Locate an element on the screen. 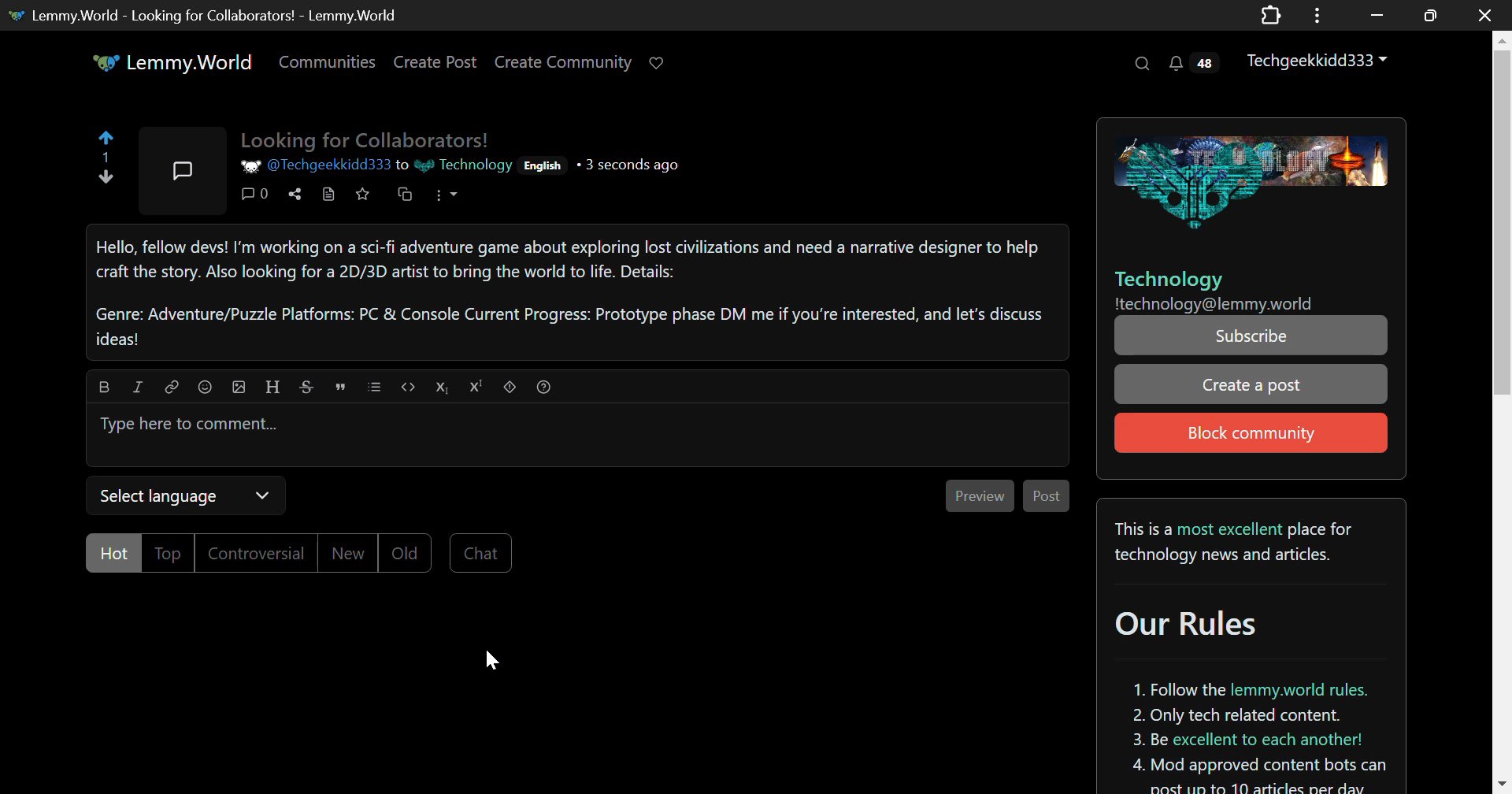 The width and height of the screenshot is (1512, 794). spoiler is located at coordinates (509, 386).